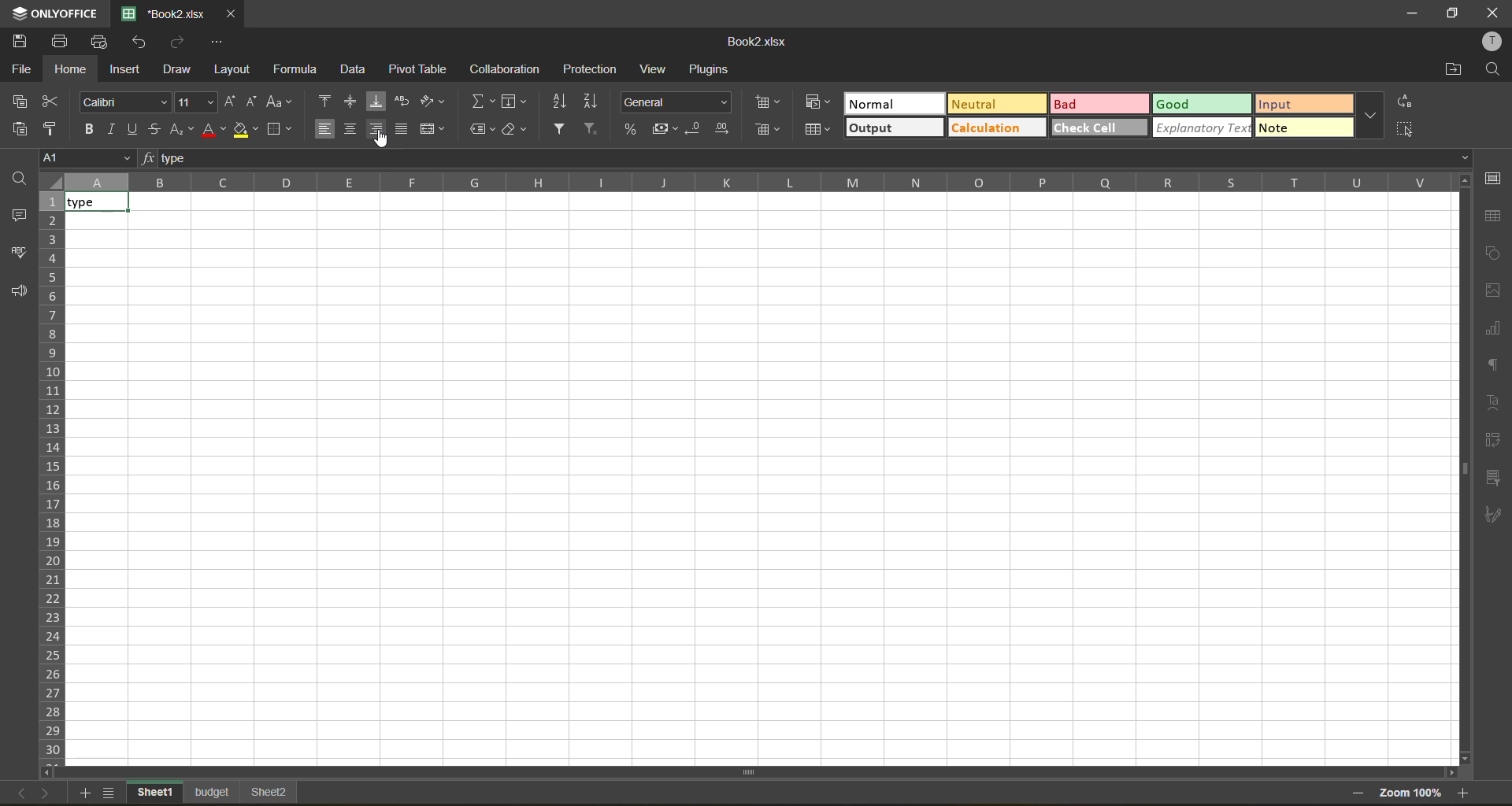 This screenshot has height=806, width=1512. Describe the element at coordinates (215, 39) in the screenshot. I see `customize quick access toolbar` at that location.